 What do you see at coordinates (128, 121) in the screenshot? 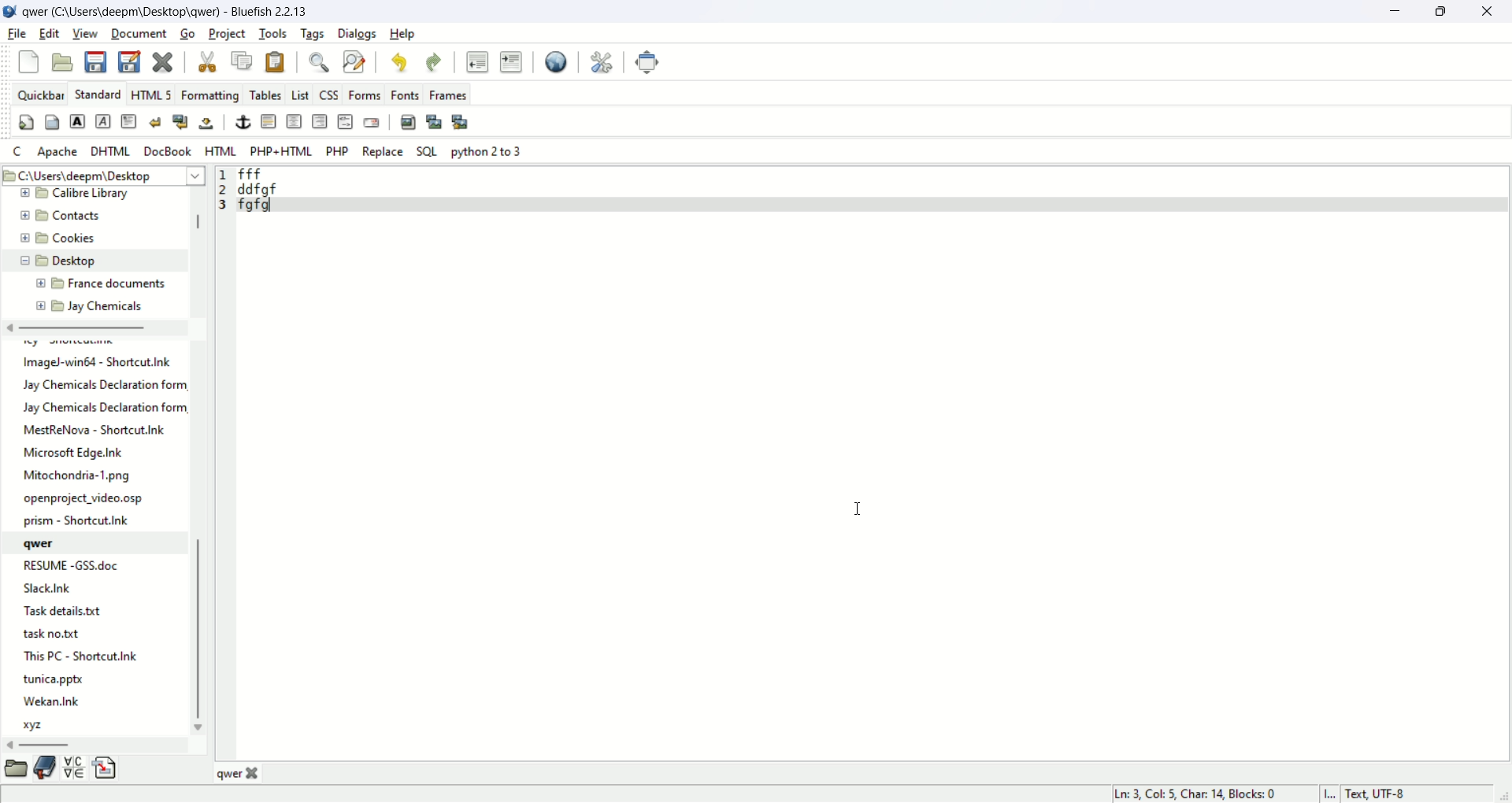
I see `paragraph` at bounding box center [128, 121].